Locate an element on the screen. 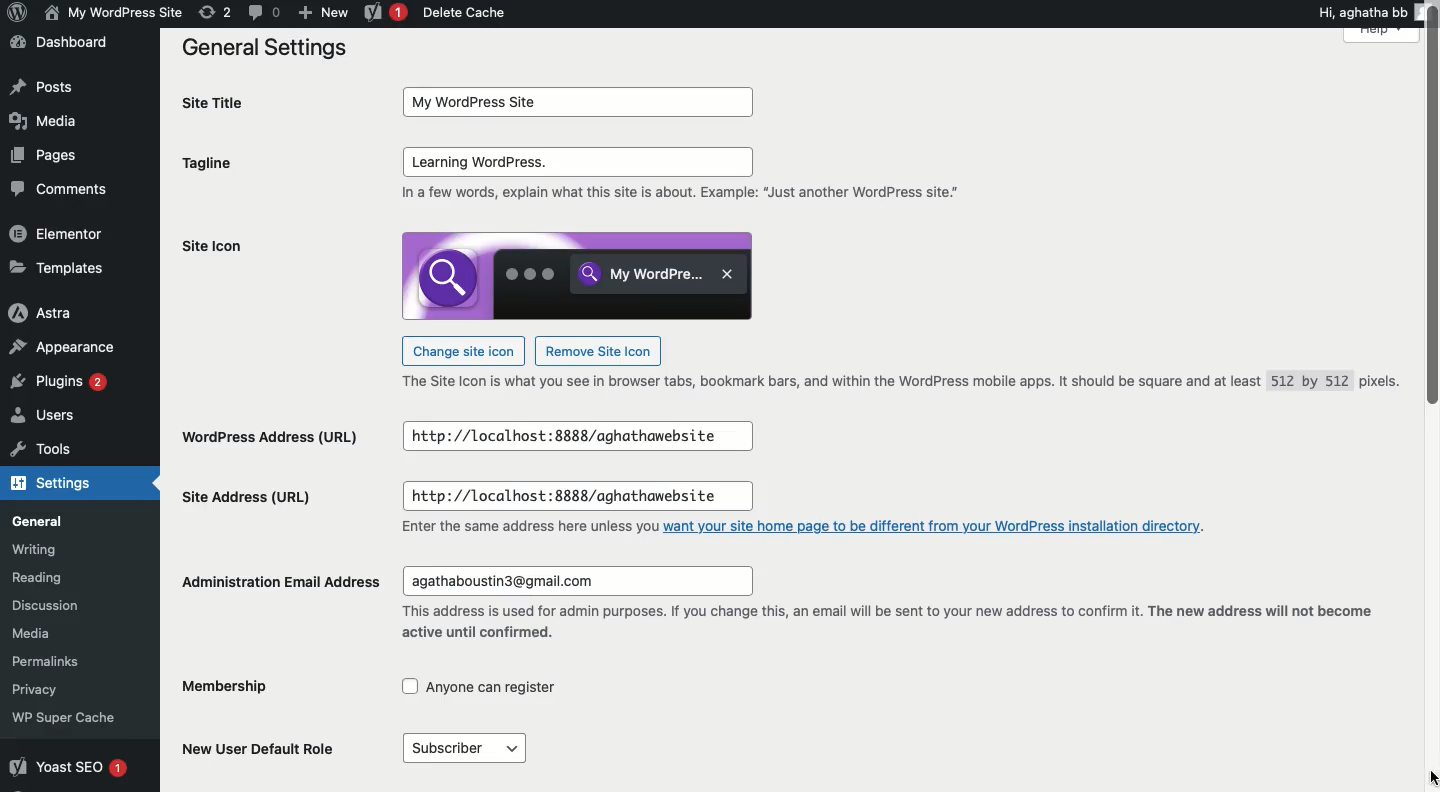  Comment (0) is located at coordinates (263, 11).